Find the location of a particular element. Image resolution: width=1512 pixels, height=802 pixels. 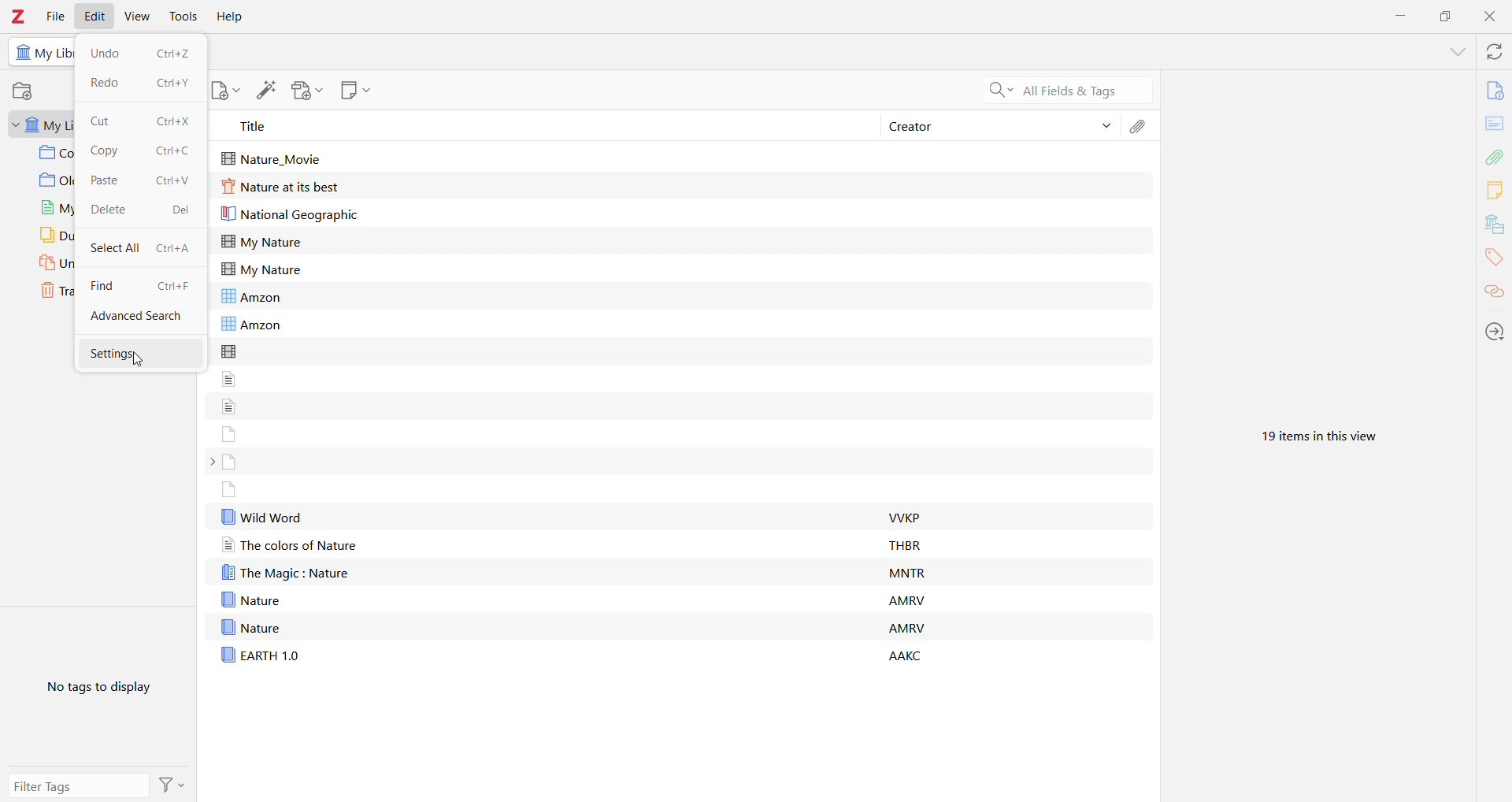

Related is located at coordinates (1494, 293).